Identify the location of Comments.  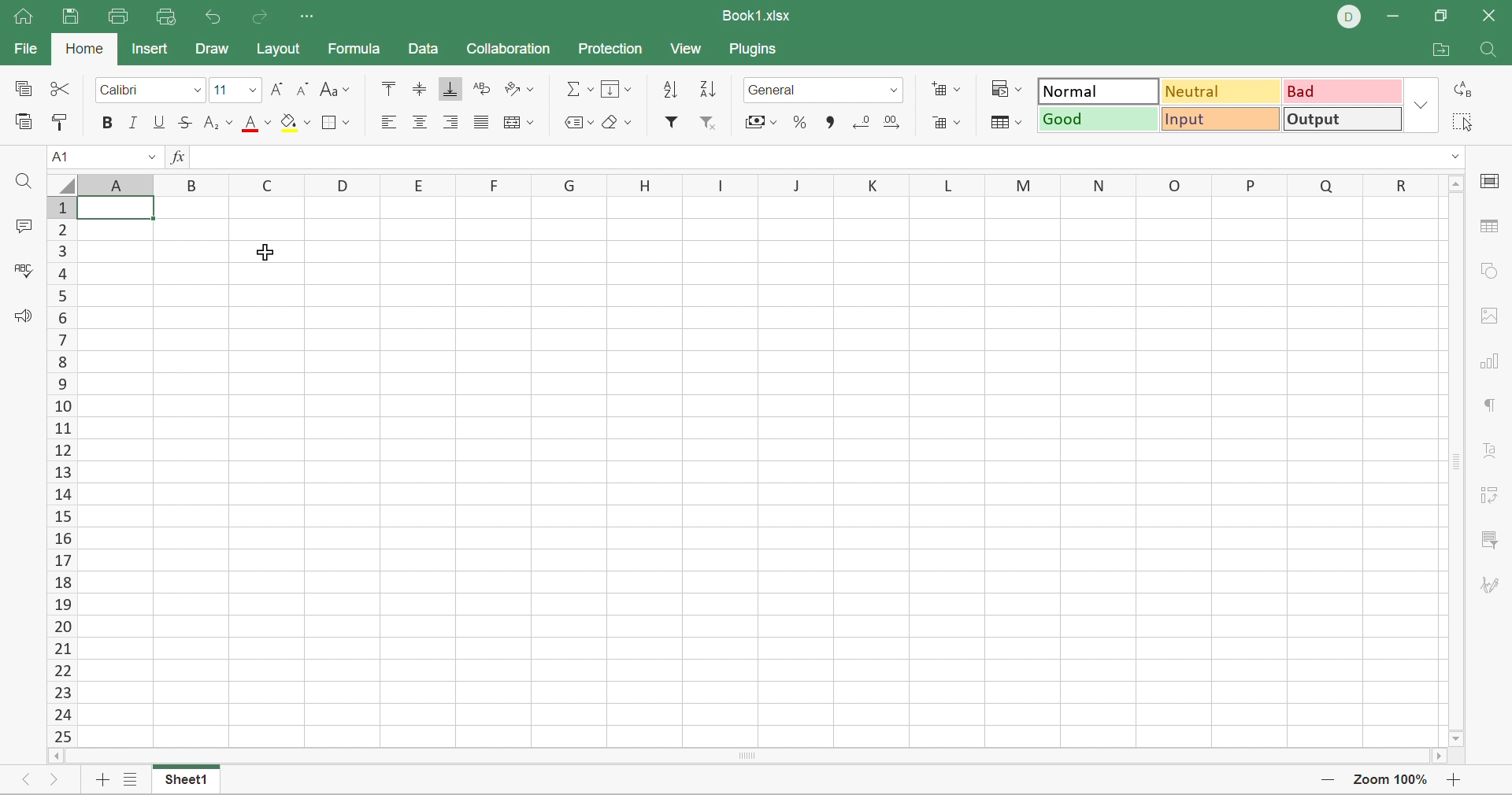
(21, 227).